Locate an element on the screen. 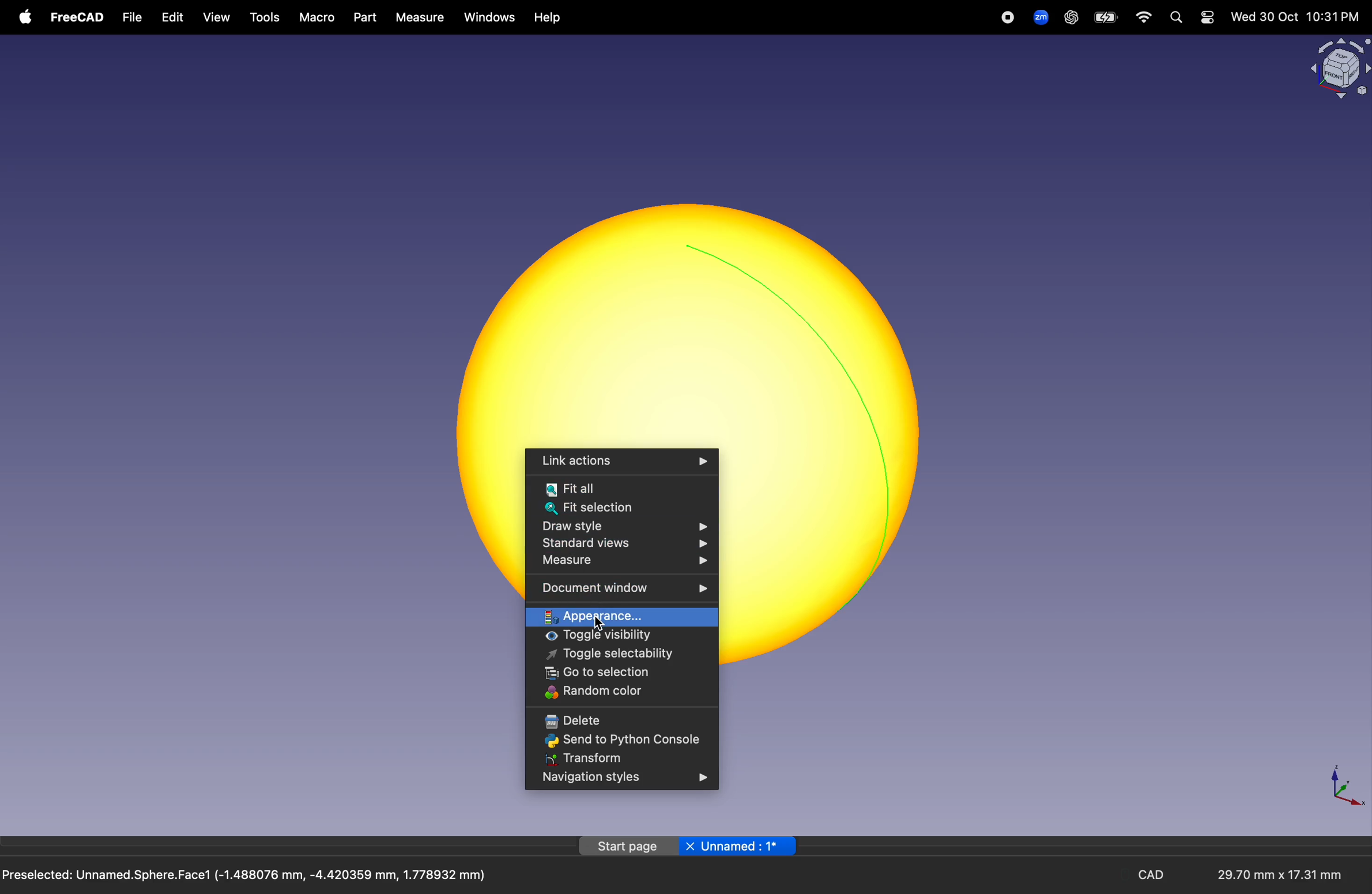 The width and height of the screenshot is (1372, 894). object view is located at coordinates (1338, 67).